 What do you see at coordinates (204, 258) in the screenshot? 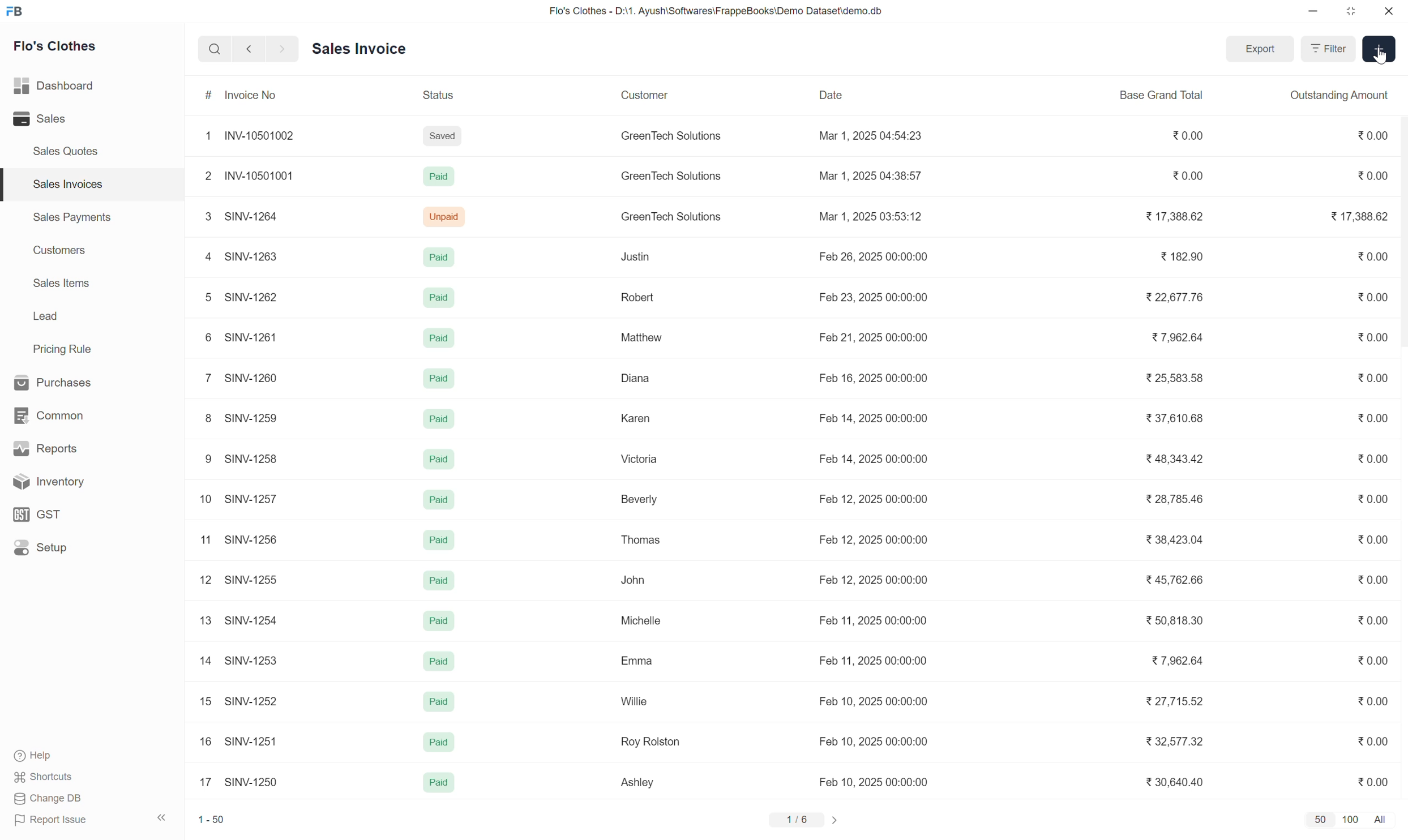
I see `4` at bounding box center [204, 258].